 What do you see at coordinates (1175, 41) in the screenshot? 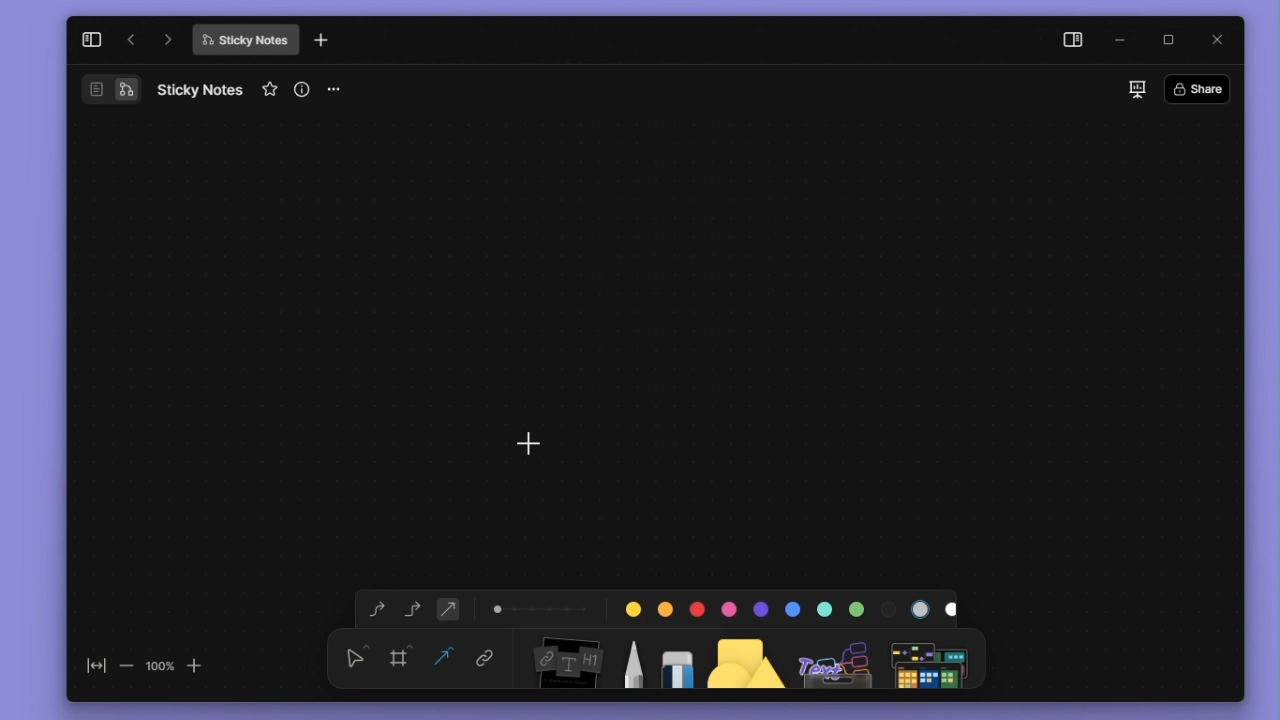
I see `maximize` at bounding box center [1175, 41].